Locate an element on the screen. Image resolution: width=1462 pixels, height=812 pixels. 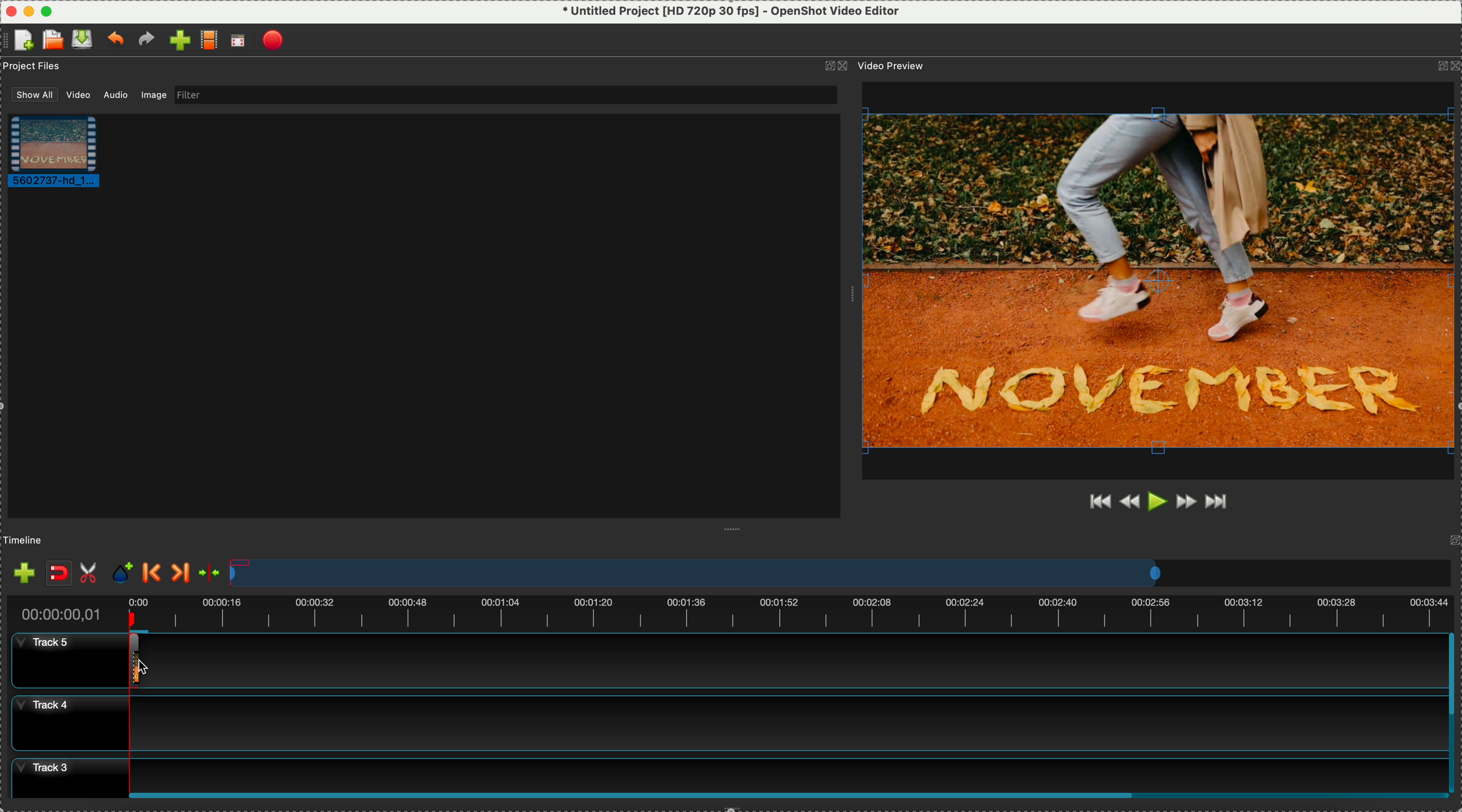
scroll bar is located at coordinates (1453, 710).